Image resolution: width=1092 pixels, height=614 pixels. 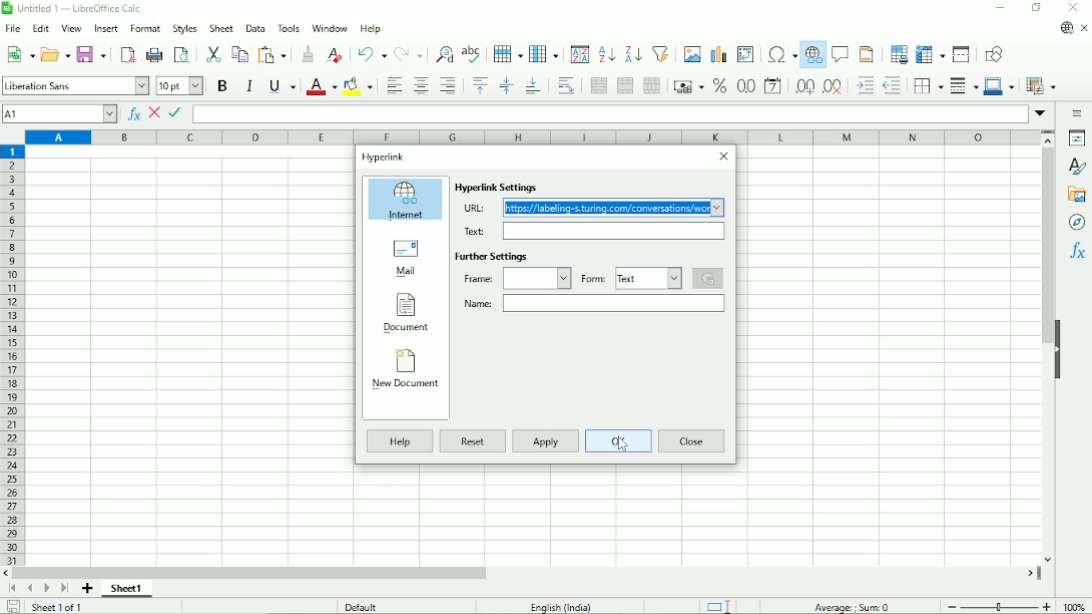 What do you see at coordinates (893, 85) in the screenshot?
I see `Decrease indent` at bounding box center [893, 85].